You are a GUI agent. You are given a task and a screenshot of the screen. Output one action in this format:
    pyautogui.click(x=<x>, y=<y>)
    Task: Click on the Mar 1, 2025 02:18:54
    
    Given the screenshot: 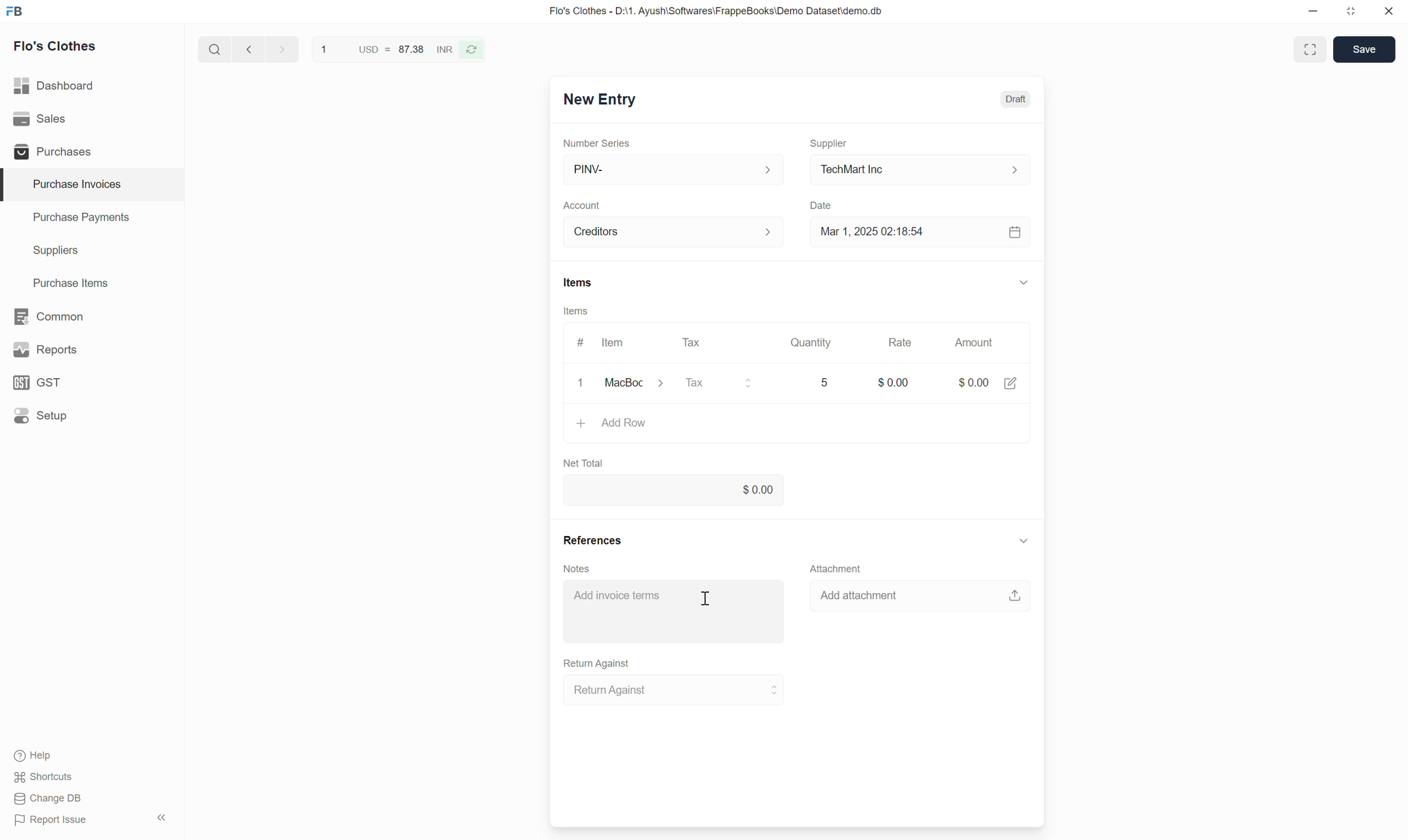 What is the action you would take?
    pyautogui.click(x=921, y=231)
    